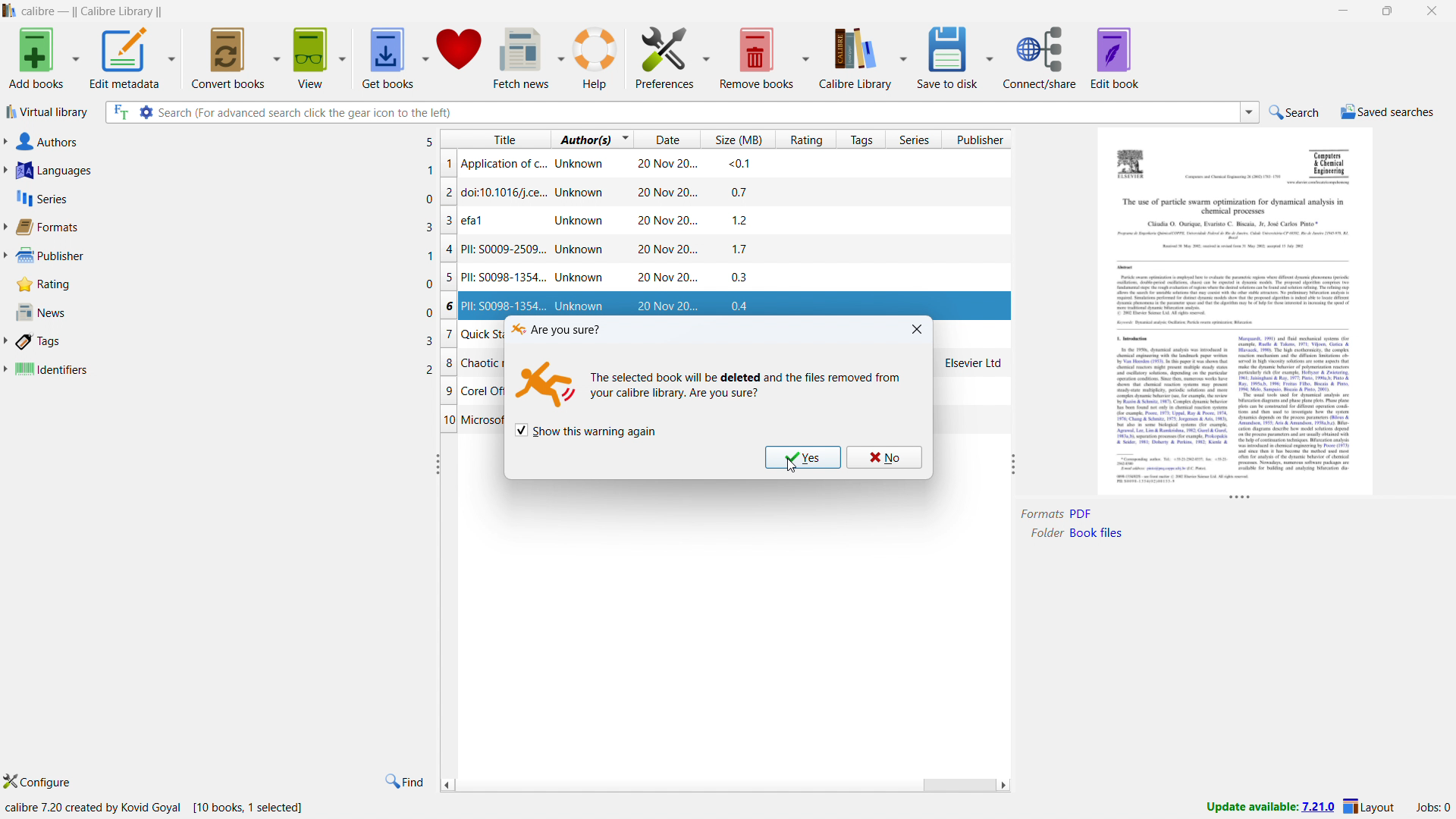  Describe the element at coordinates (705, 56) in the screenshot. I see `preferences options` at that location.